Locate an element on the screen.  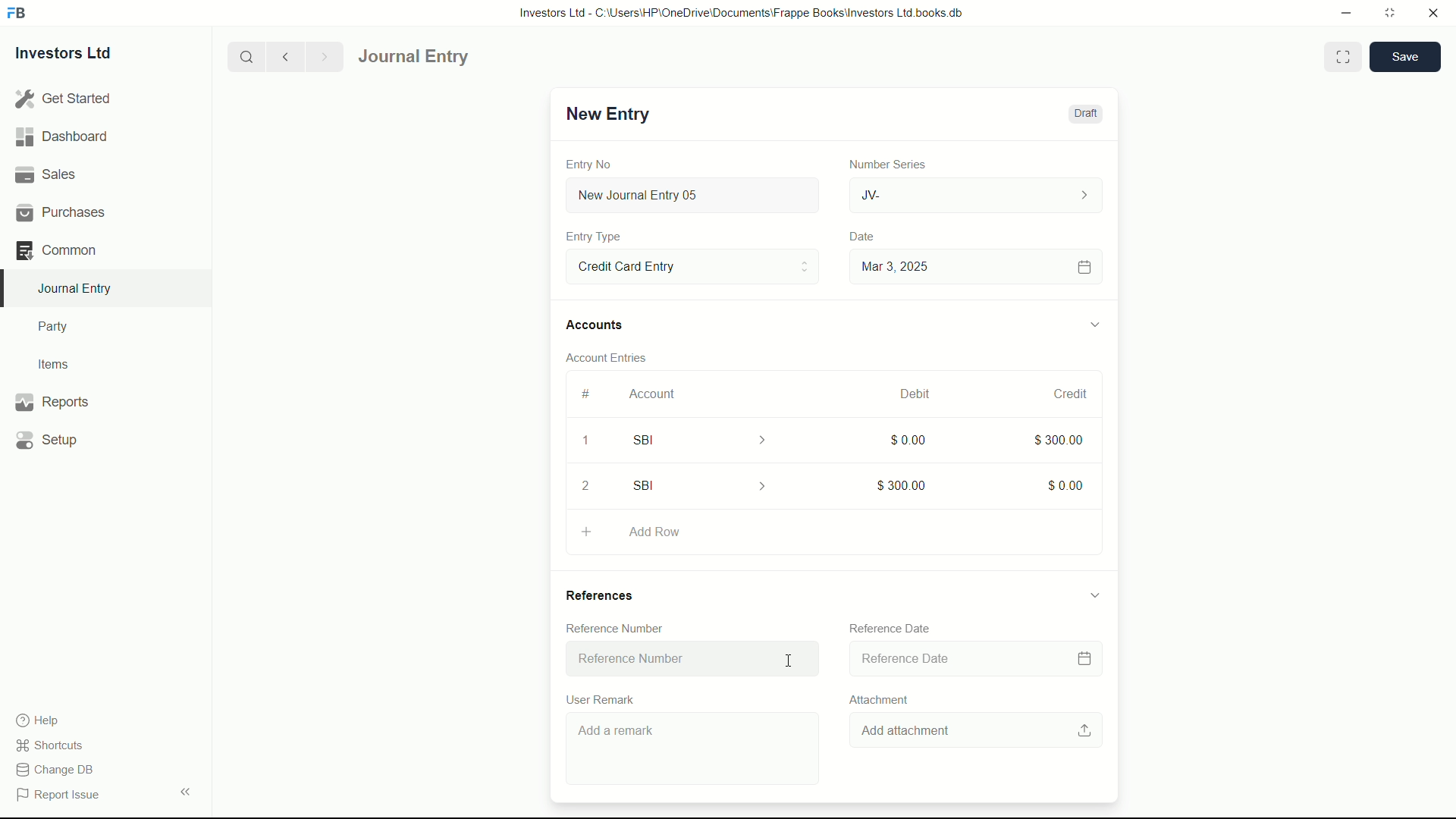
2 is located at coordinates (591, 485).